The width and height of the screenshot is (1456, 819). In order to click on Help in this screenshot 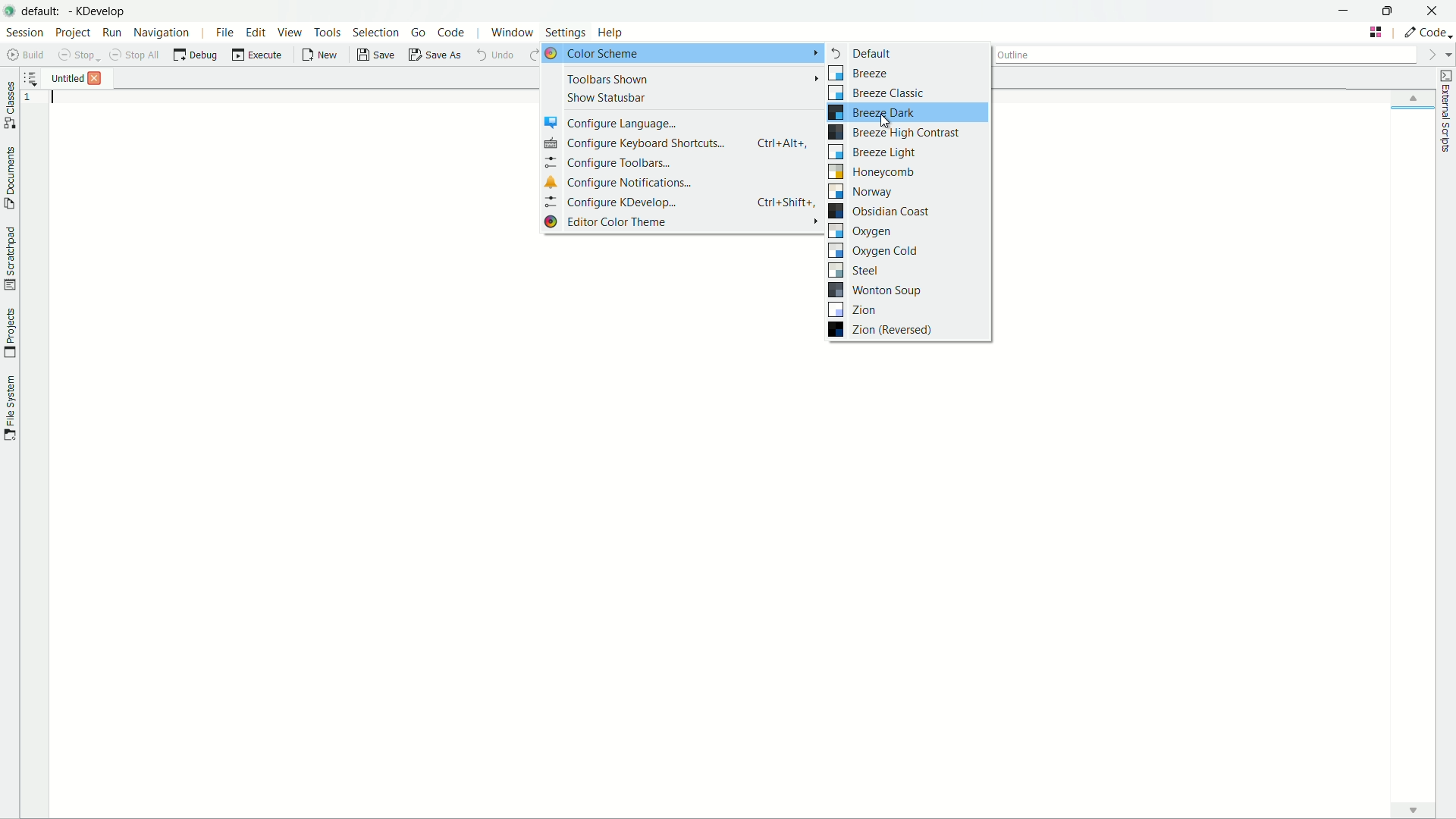, I will do `click(617, 27)`.